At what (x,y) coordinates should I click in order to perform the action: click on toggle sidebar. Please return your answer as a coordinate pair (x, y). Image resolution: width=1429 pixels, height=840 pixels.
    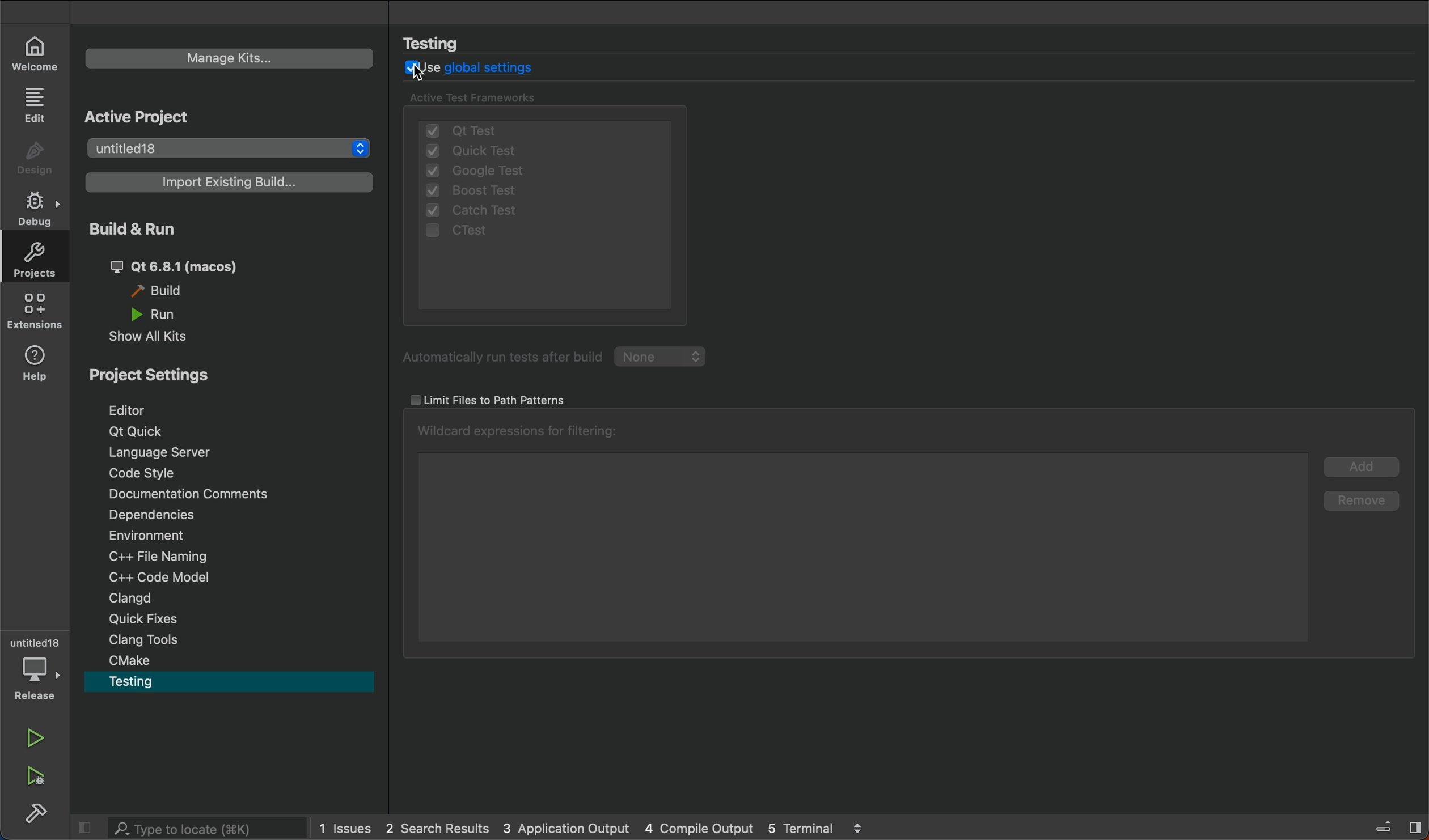
    Looking at the image, I should click on (1394, 830).